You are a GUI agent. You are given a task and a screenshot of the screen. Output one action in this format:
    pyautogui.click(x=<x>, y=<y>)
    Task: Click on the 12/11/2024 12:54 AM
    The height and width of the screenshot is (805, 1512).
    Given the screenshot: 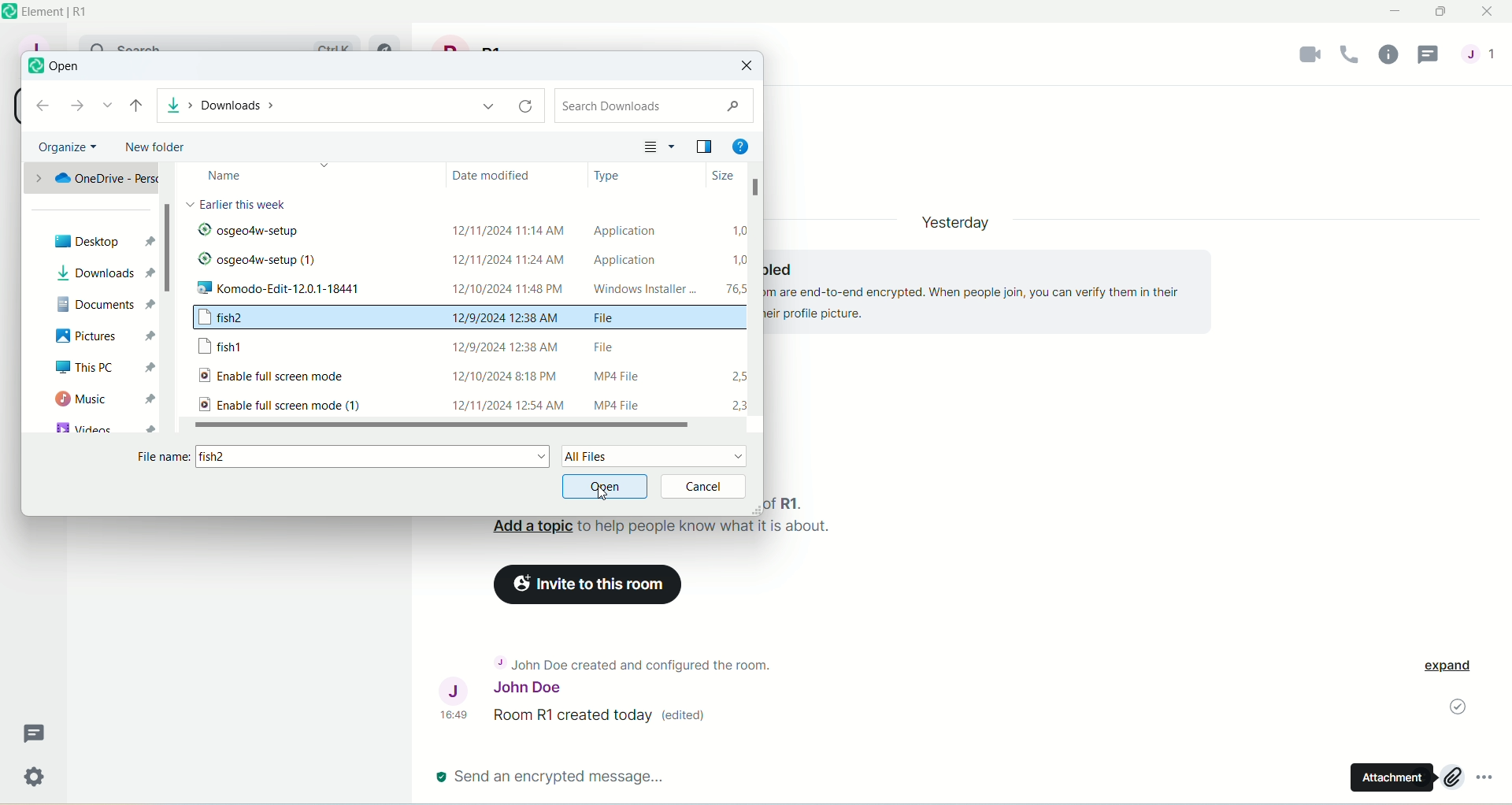 What is the action you would take?
    pyautogui.click(x=506, y=403)
    